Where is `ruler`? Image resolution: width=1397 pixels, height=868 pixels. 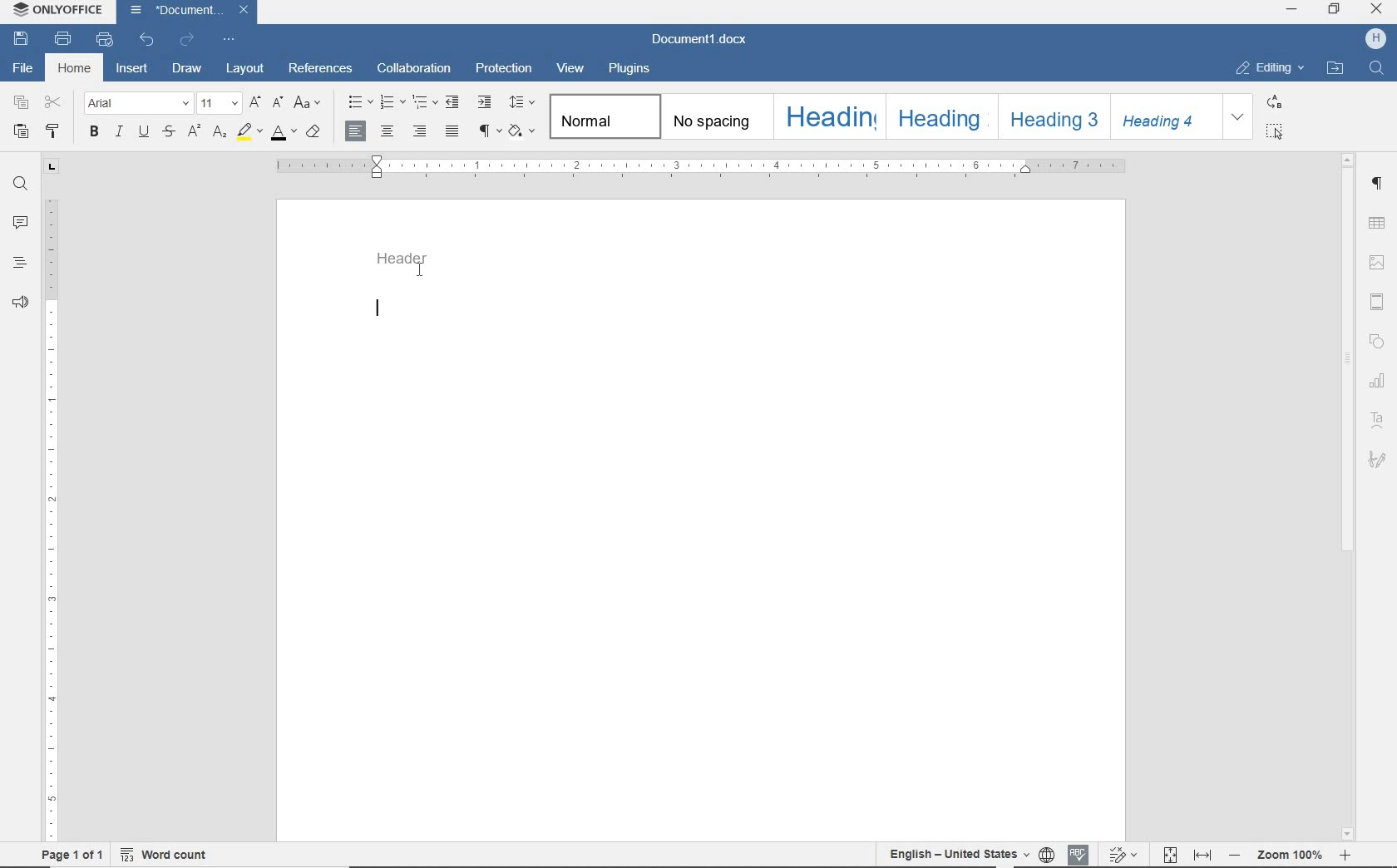 ruler is located at coordinates (49, 501).